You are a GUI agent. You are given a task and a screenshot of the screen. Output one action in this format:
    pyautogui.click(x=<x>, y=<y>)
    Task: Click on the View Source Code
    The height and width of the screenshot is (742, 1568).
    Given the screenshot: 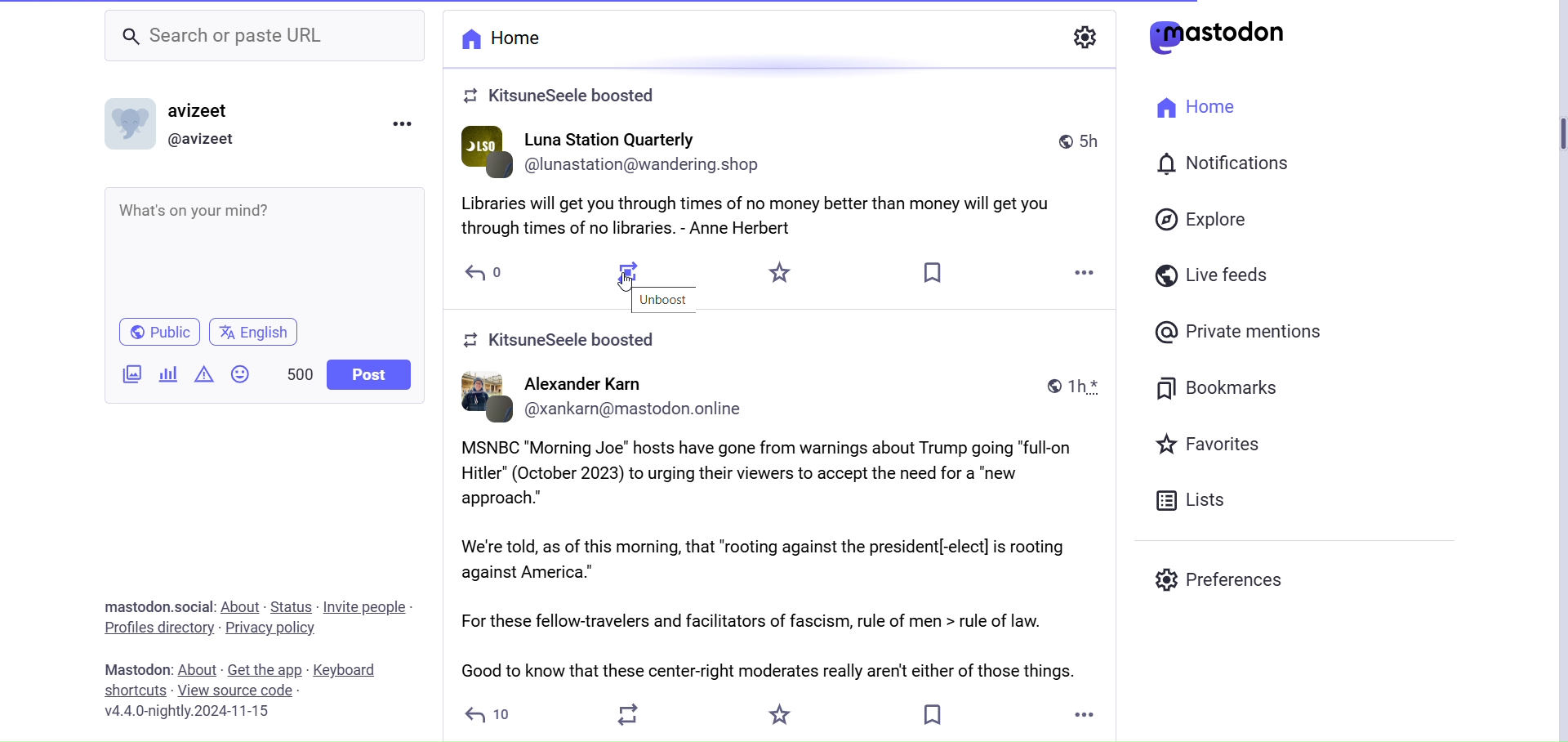 What is the action you would take?
    pyautogui.click(x=252, y=689)
    